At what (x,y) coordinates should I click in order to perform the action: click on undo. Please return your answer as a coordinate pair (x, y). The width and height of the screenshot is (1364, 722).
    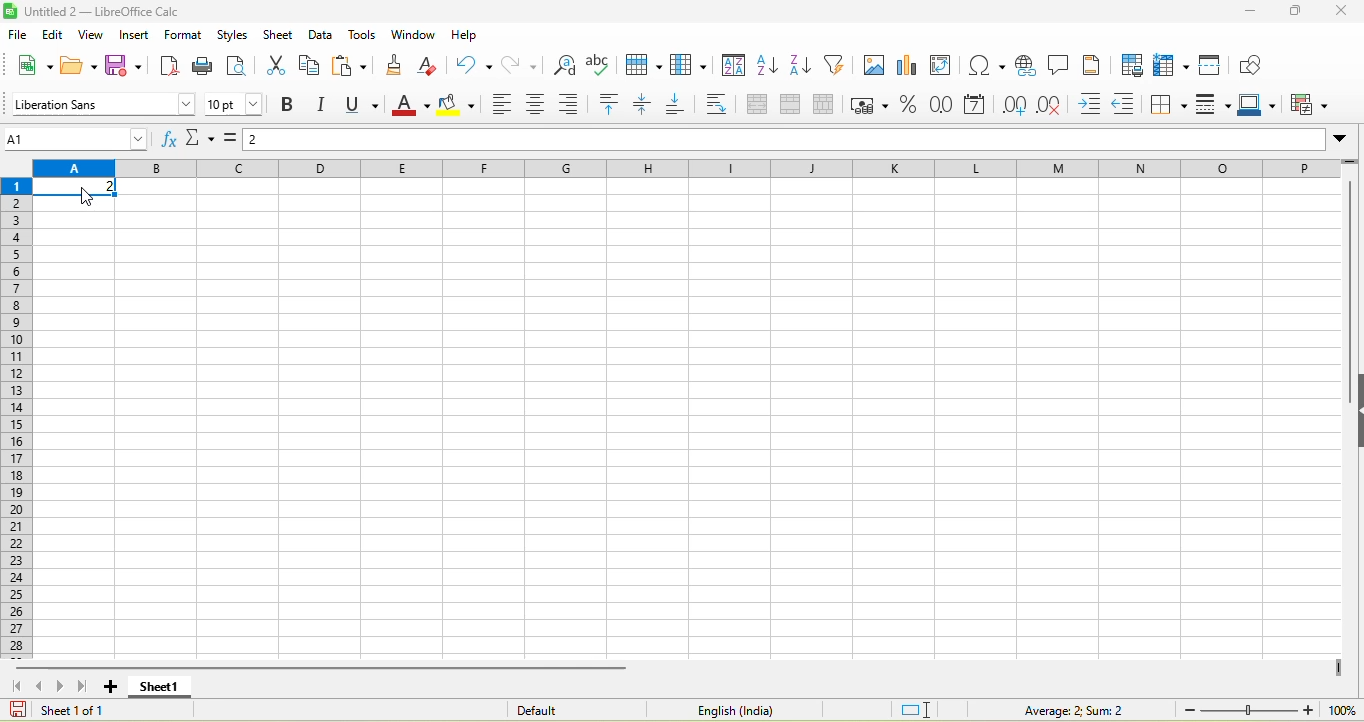
    Looking at the image, I should click on (476, 64).